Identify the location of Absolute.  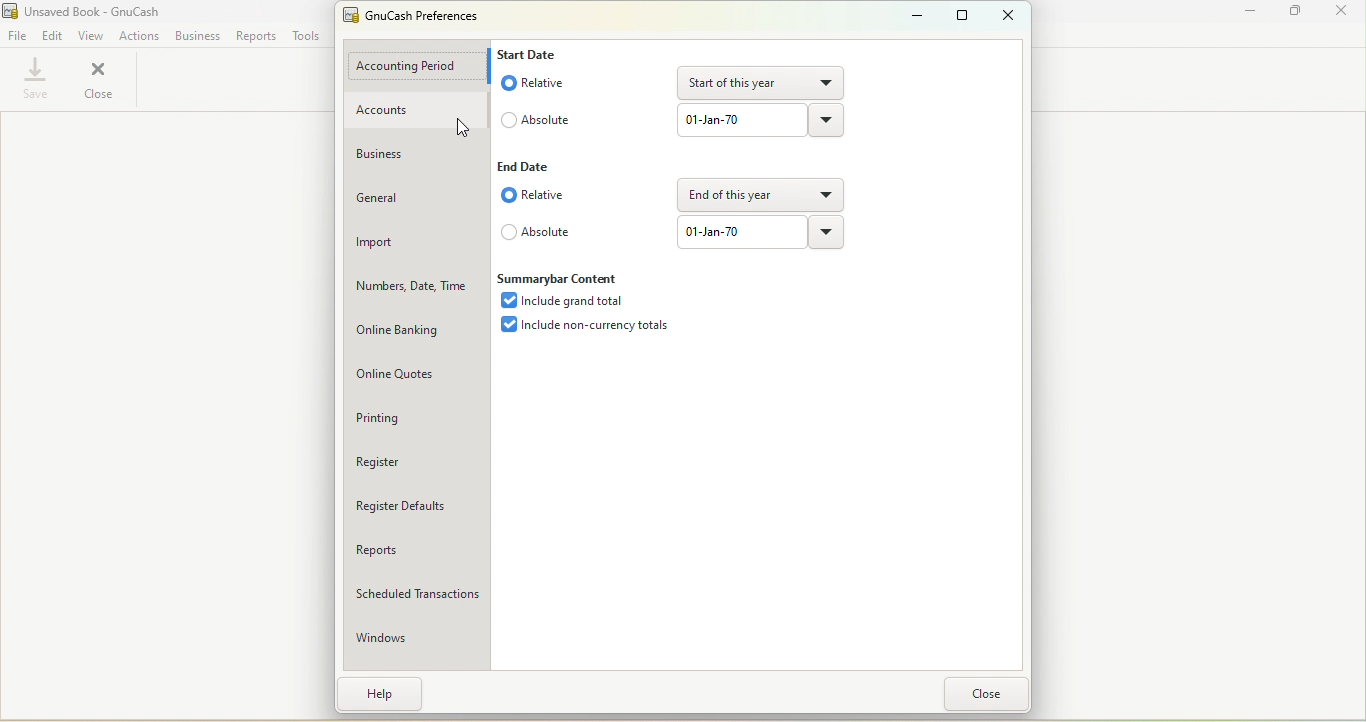
(536, 116).